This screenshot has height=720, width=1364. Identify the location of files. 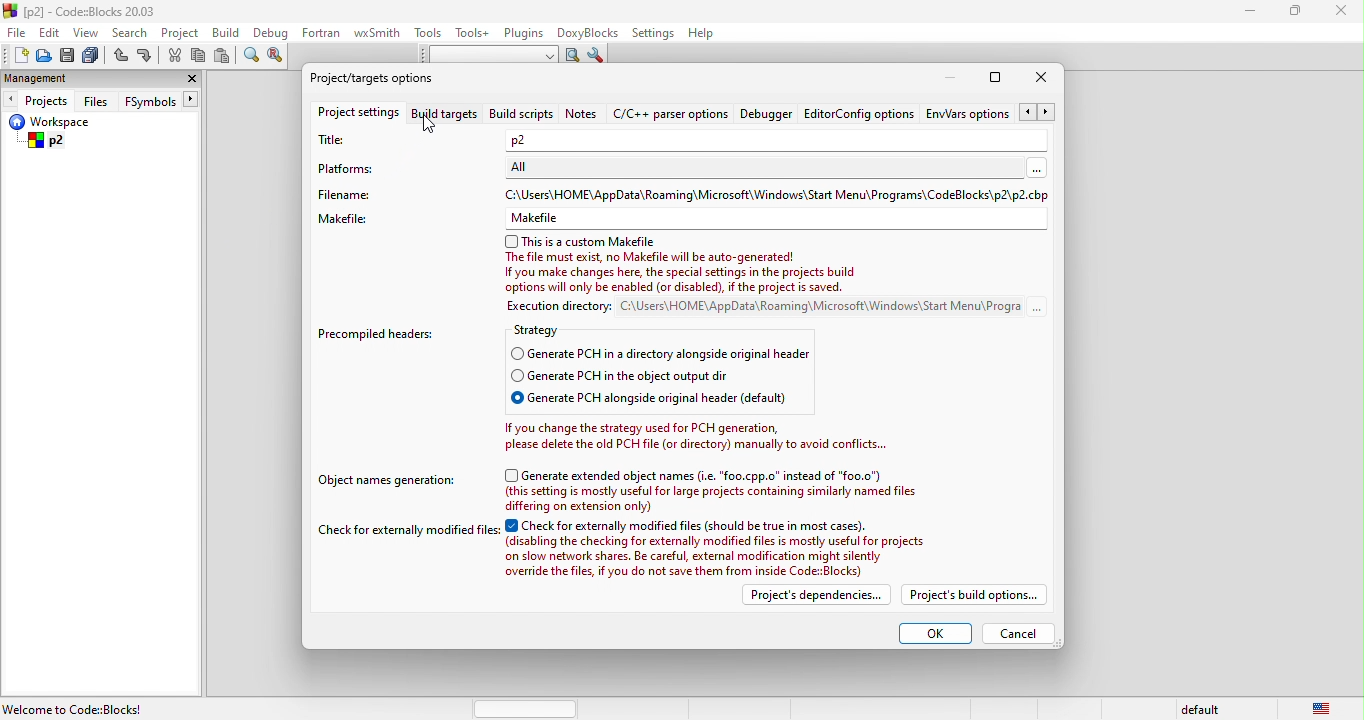
(99, 100).